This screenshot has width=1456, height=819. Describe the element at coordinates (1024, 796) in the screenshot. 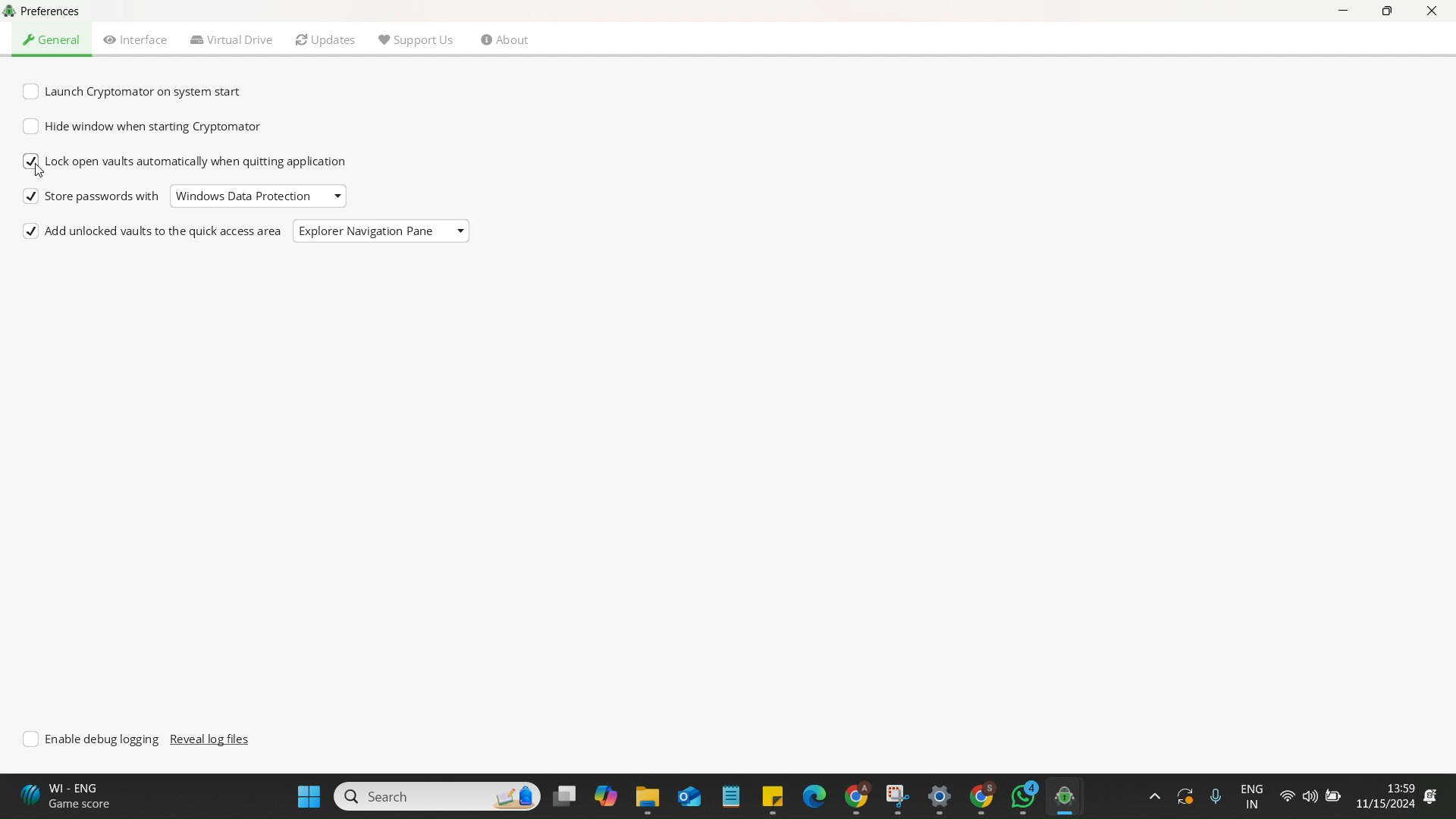

I see `WhatsApp` at that location.